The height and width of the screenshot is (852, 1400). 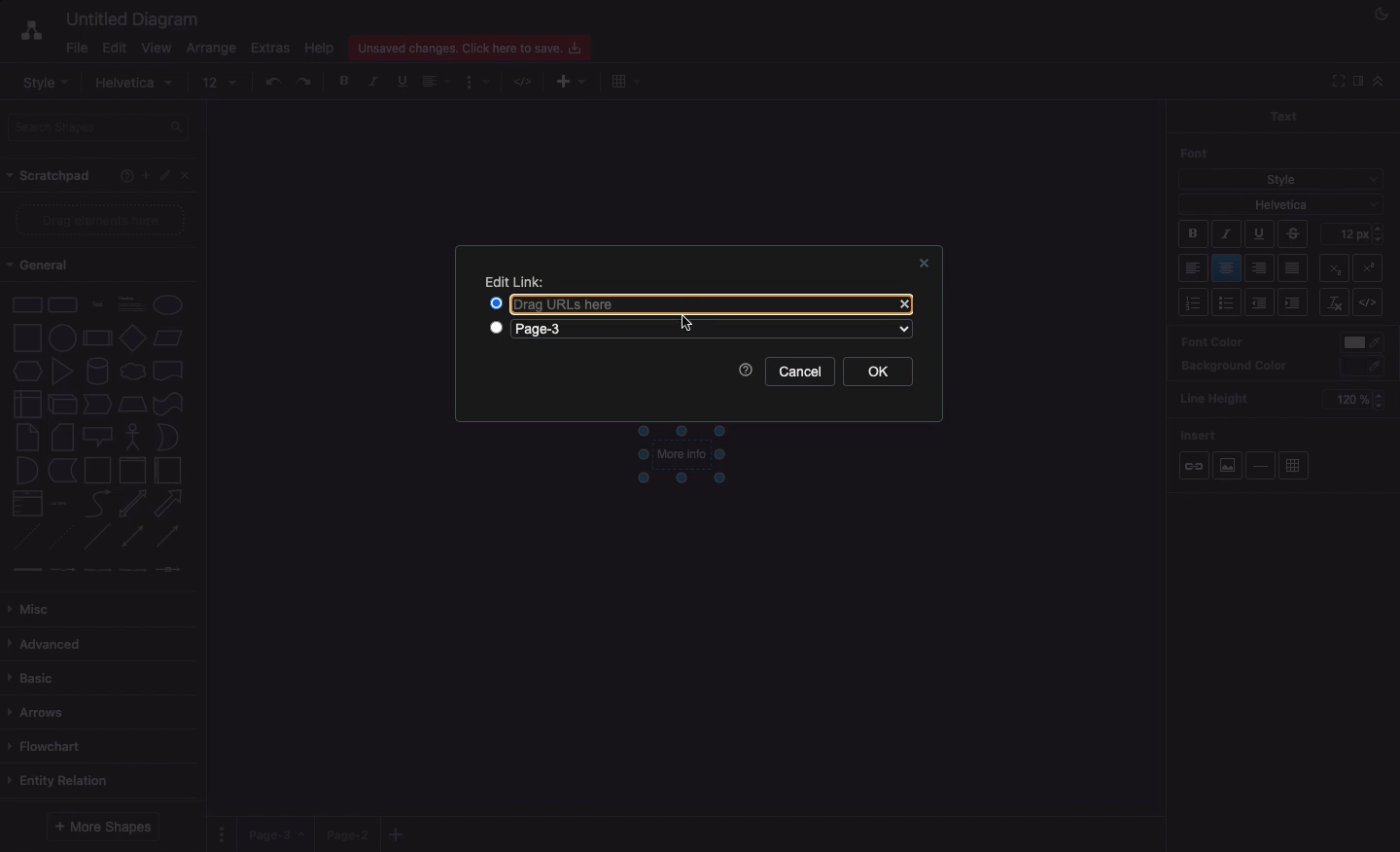 What do you see at coordinates (1295, 233) in the screenshot?
I see `Strikethrough` at bounding box center [1295, 233].